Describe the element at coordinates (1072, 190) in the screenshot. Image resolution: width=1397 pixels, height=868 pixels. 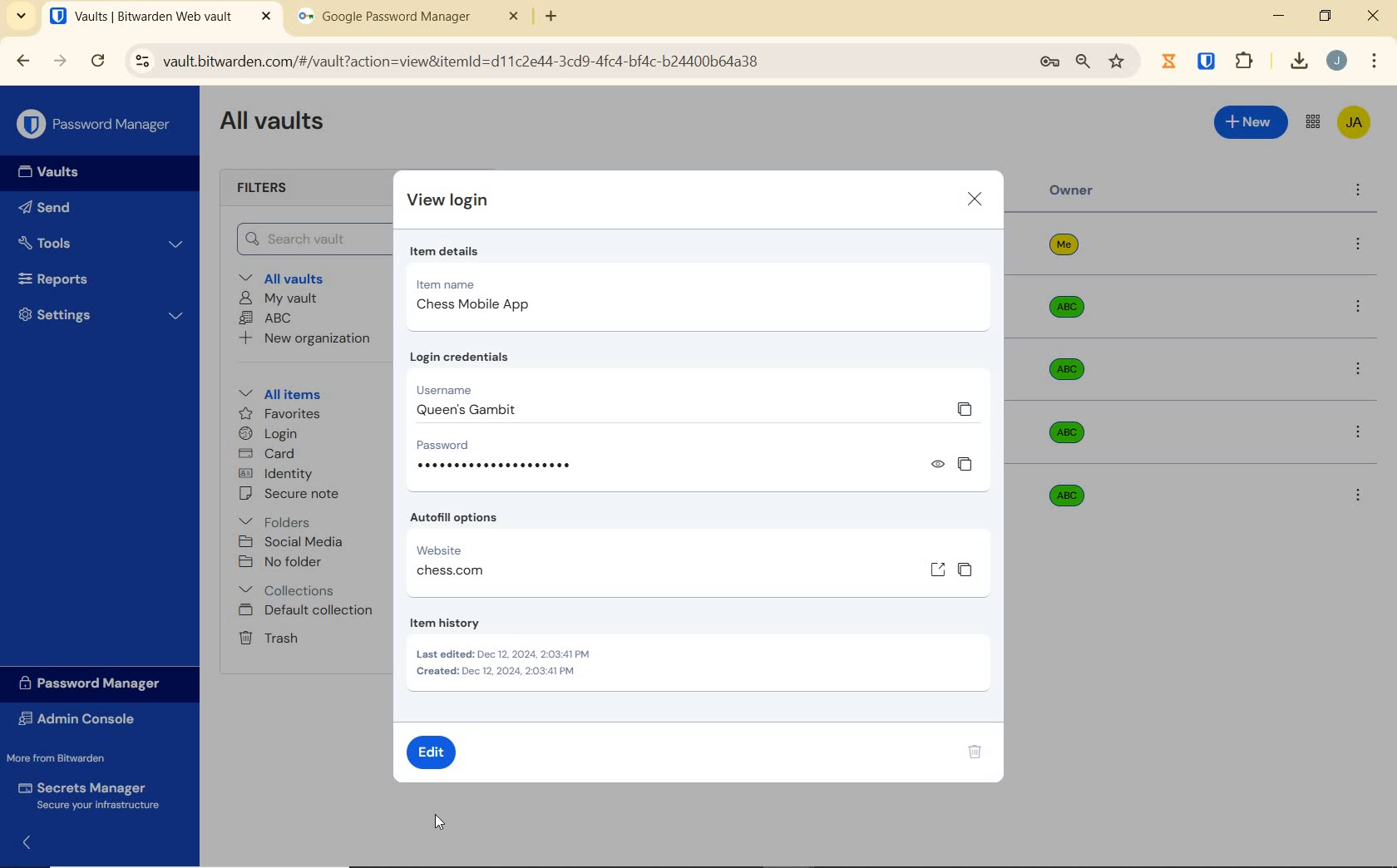
I see `Owner` at that location.